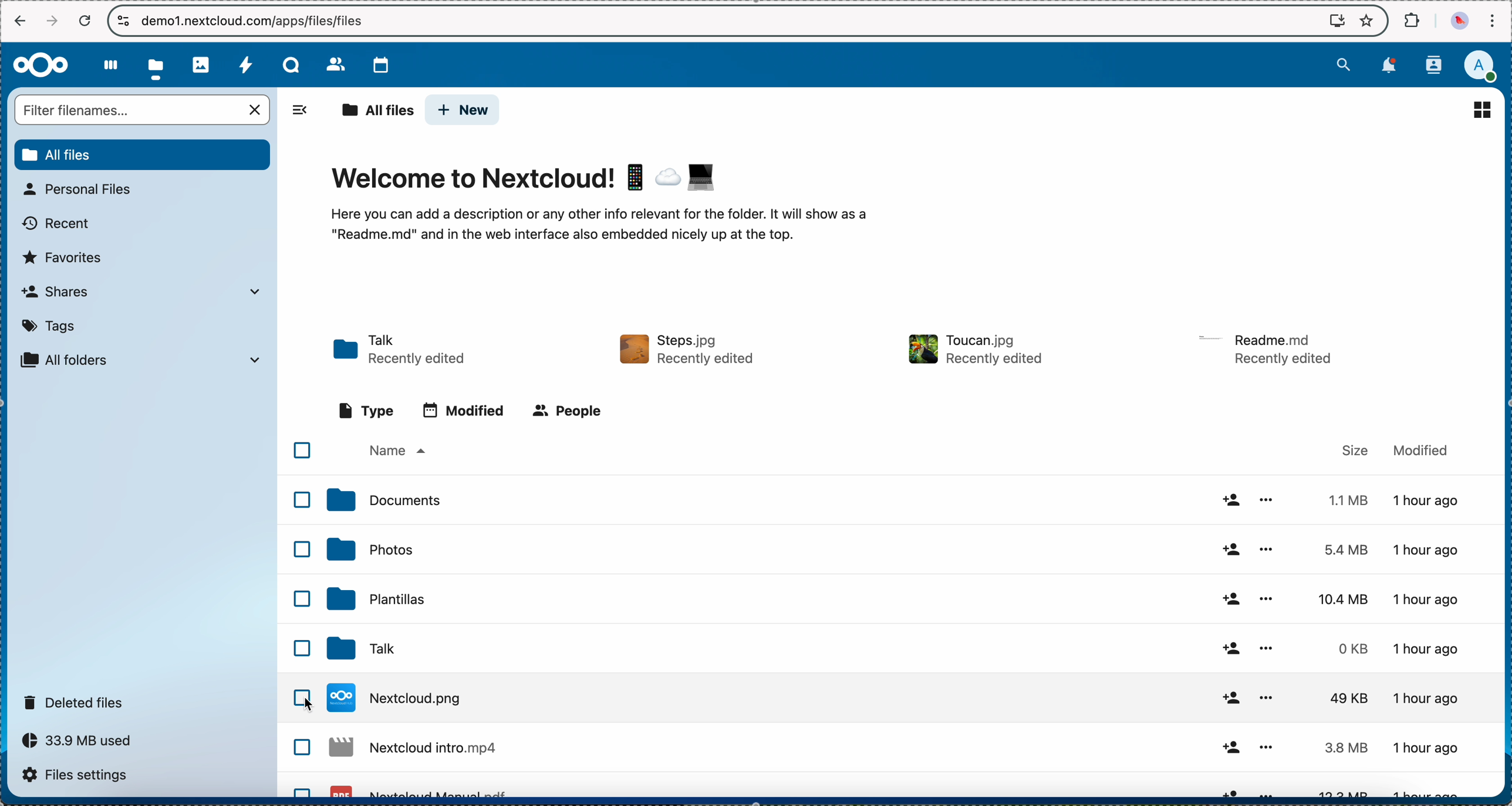 This screenshot has height=806, width=1512. Describe the element at coordinates (109, 63) in the screenshot. I see `dashboard` at that location.